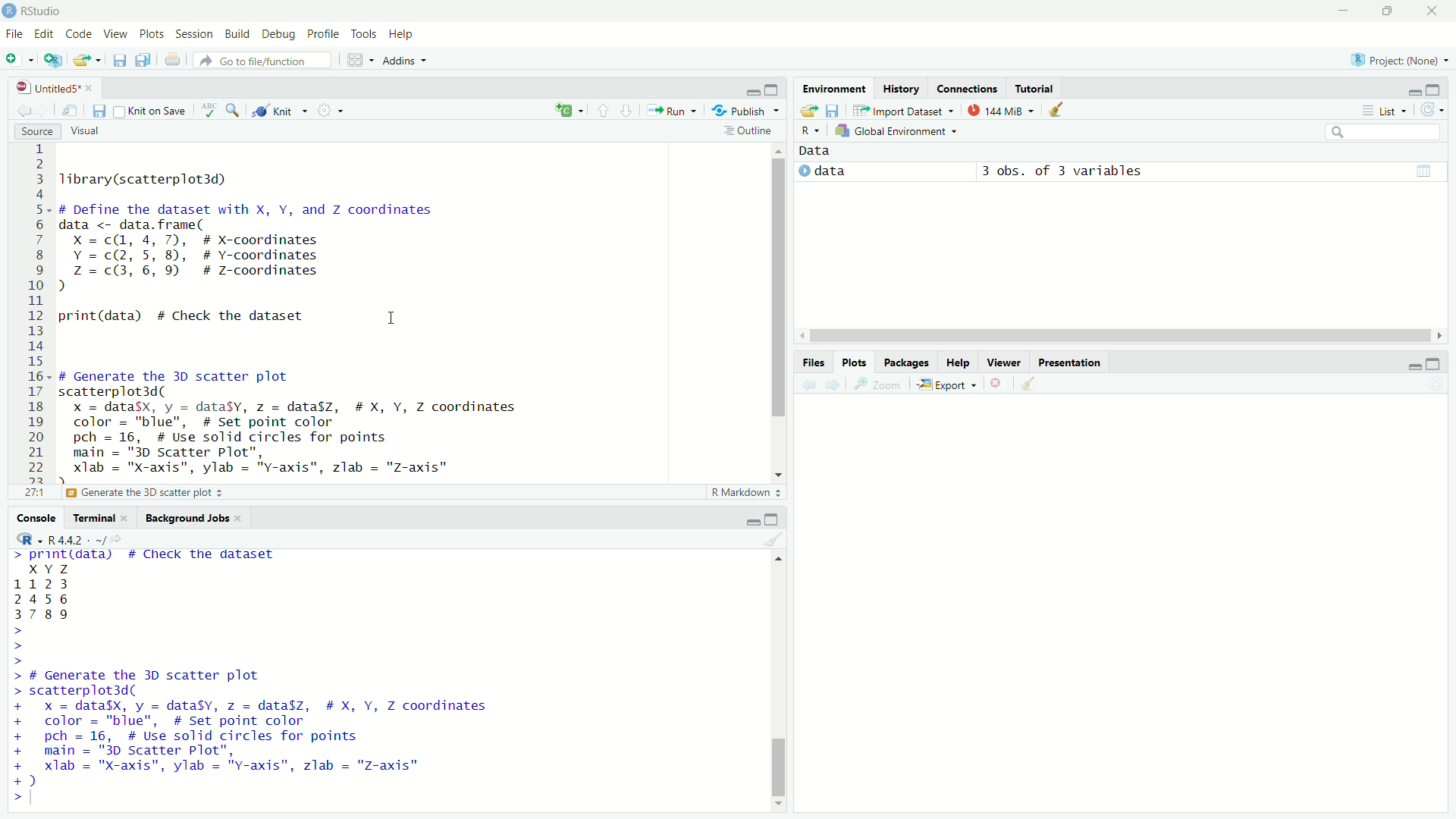  I want to click on Remove current plot, so click(996, 383).